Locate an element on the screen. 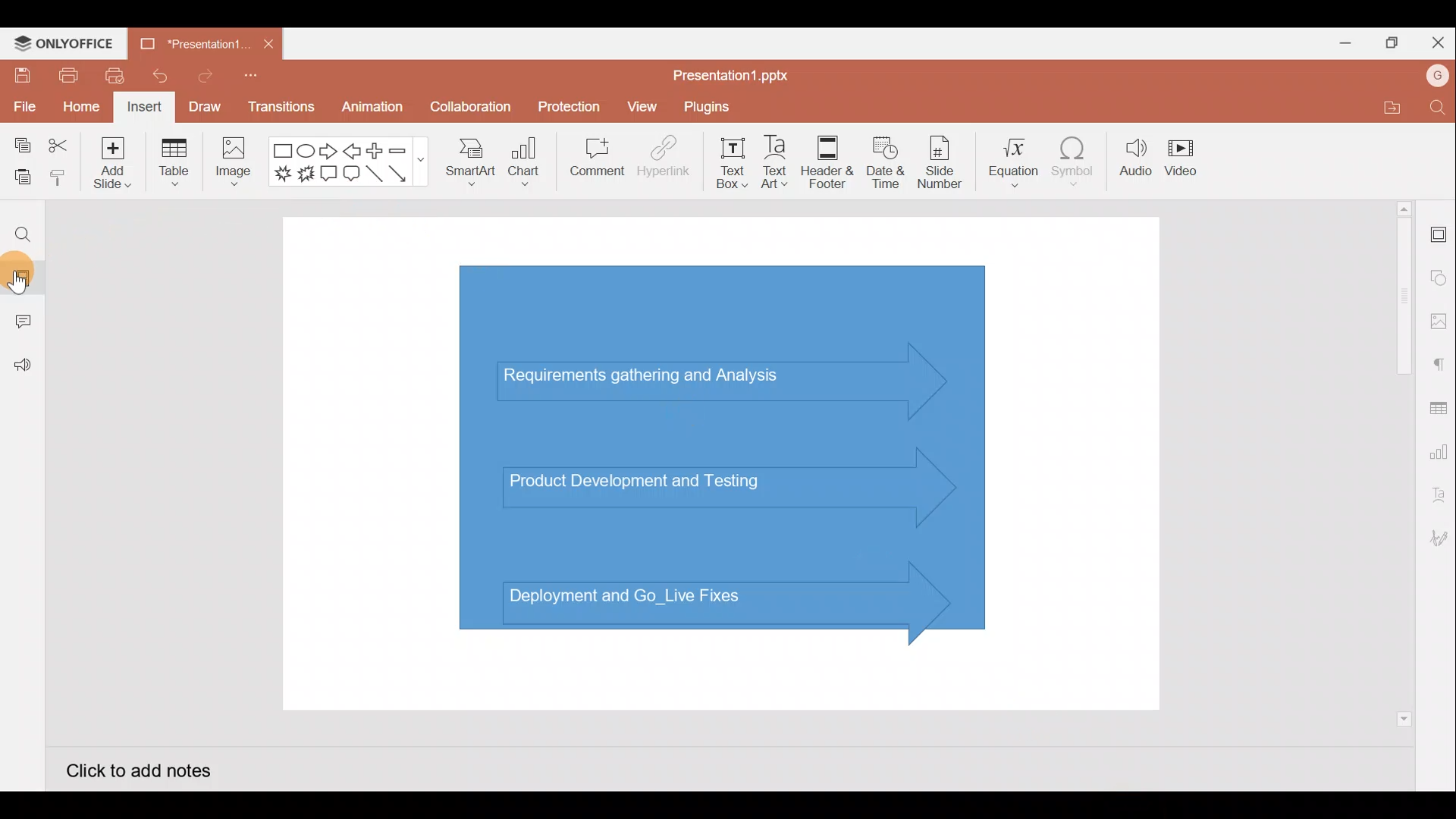 Image resolution: width=1456 pixels, height=819 pixels. Image settings is located at coordinates (1437, 318).